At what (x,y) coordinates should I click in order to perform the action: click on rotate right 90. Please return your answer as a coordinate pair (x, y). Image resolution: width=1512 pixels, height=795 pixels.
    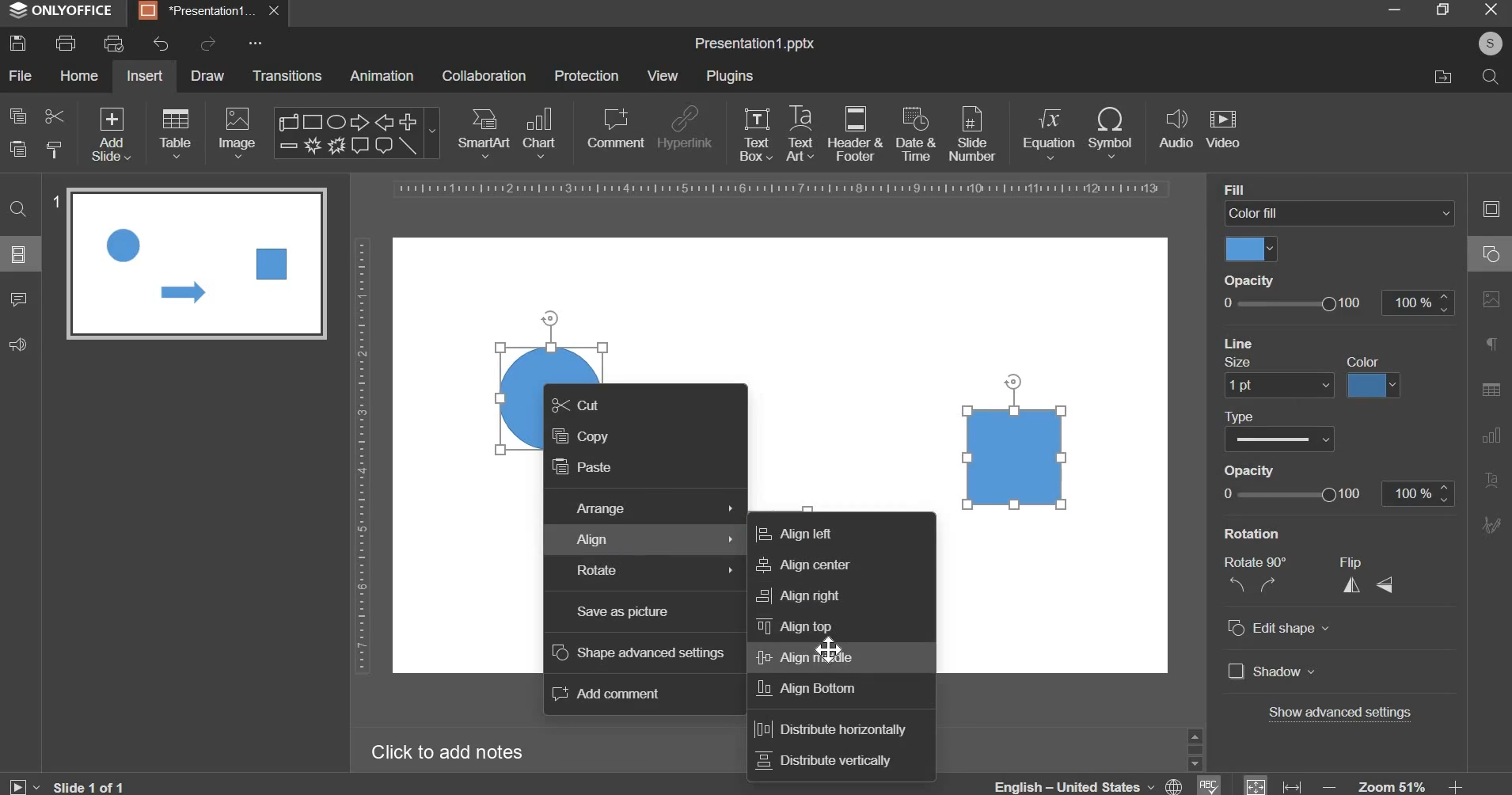
    Looking at the image, I should click on (1271, 585).